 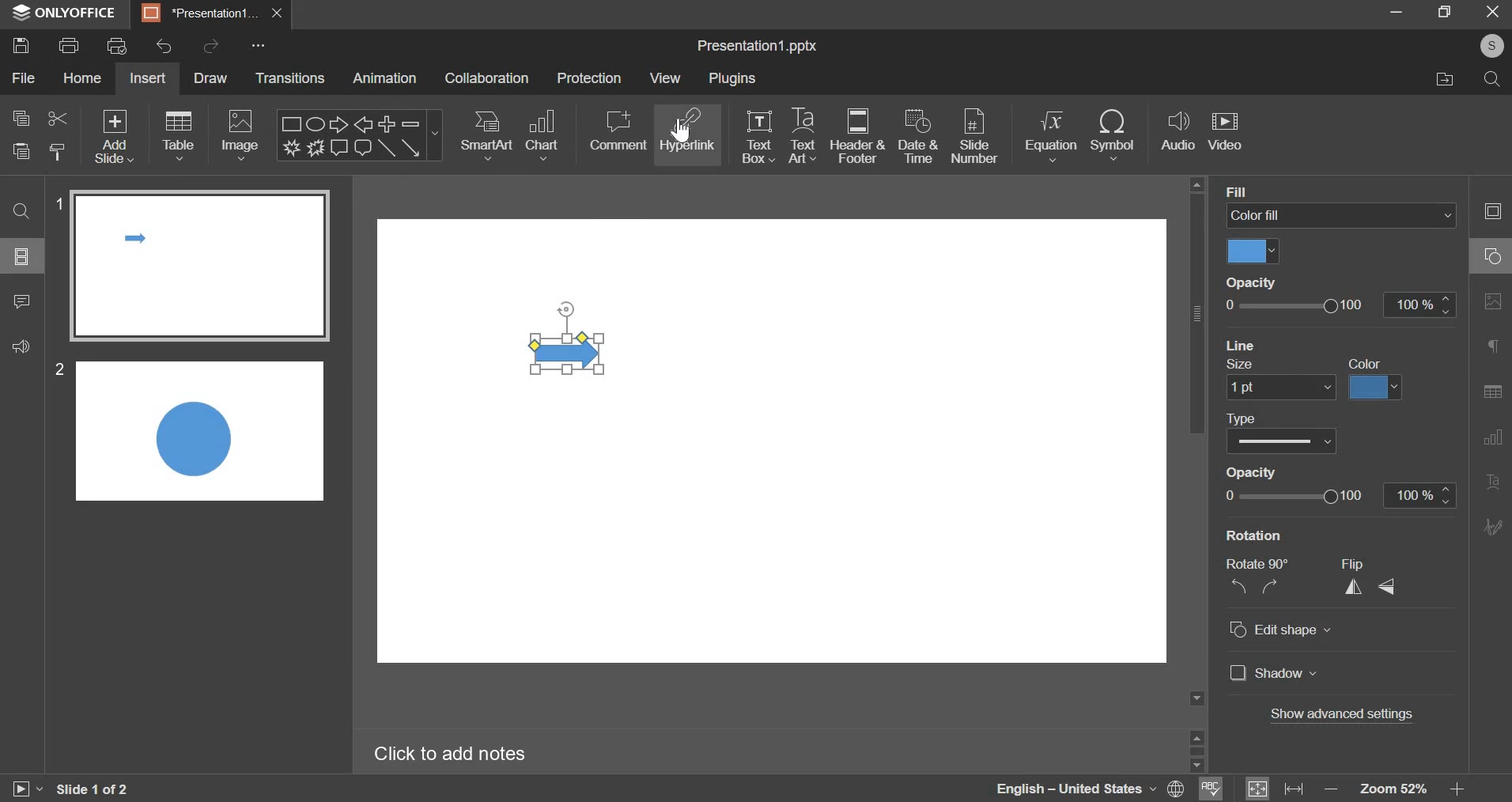 What do you see at coordinates (95, 789) in the screenshot?
I see `slide 1 of 2` at bounding box center [95, 789].